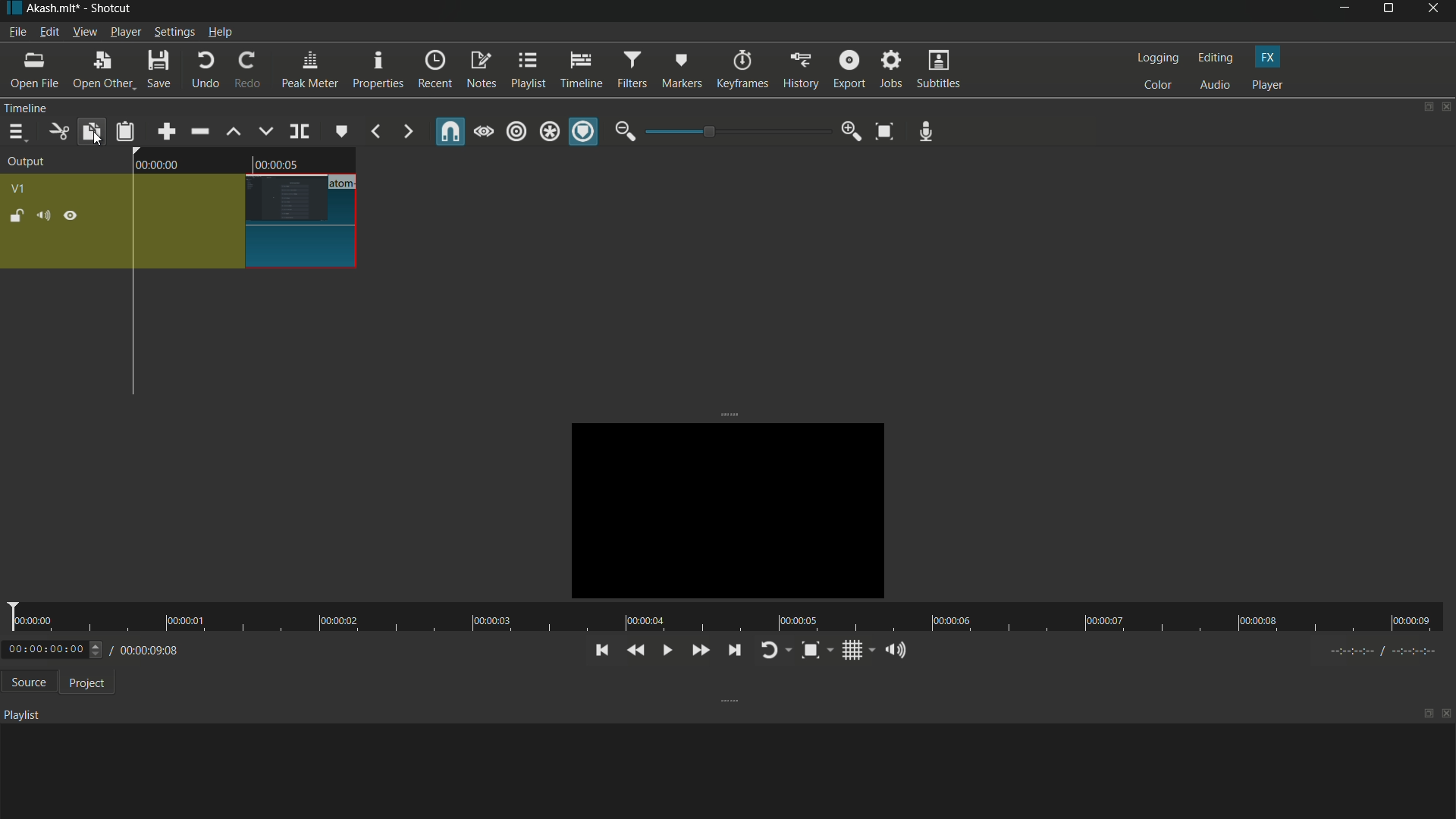 This screenshot has height=819, width=1456. Describe the element at coordinates (683, 70) in the screenshot. I see `markers` at that location.